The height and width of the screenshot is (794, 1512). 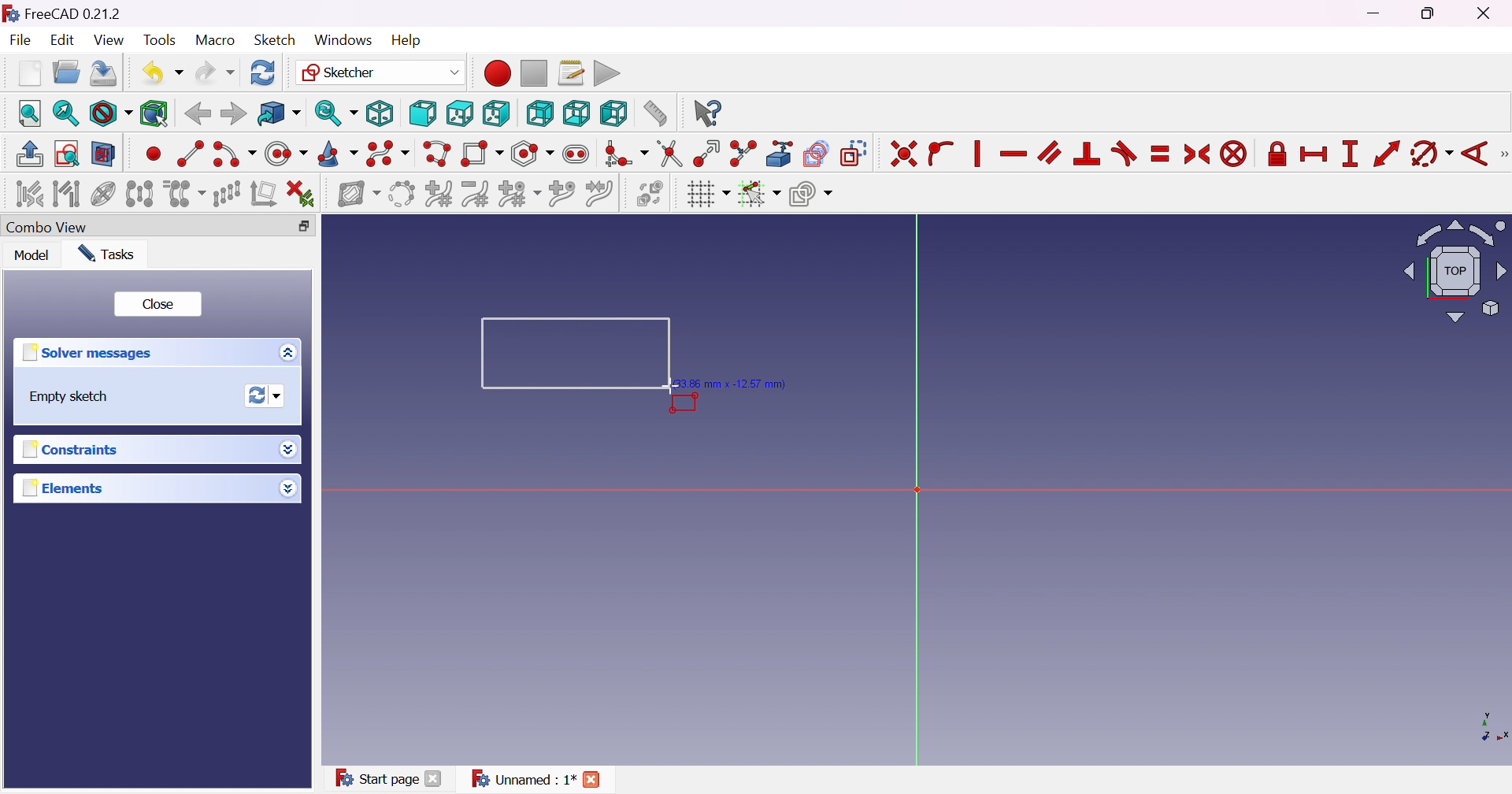 What do you see at coordinates (29, 193) in the screenshot?
I see `Select associated constraints` at bounding box center [29, 193].